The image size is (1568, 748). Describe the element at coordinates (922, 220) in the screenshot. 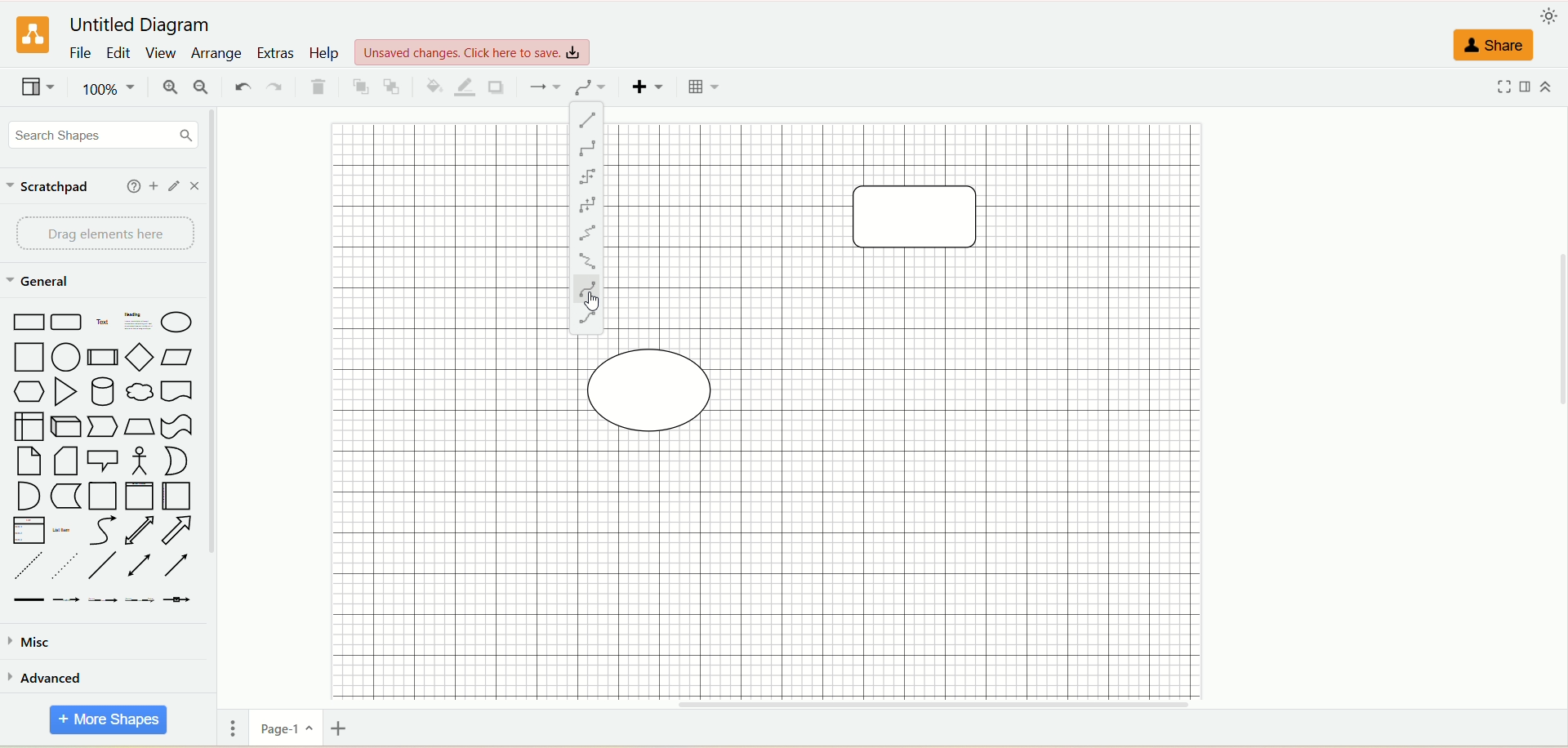

I see `shape` at that location.